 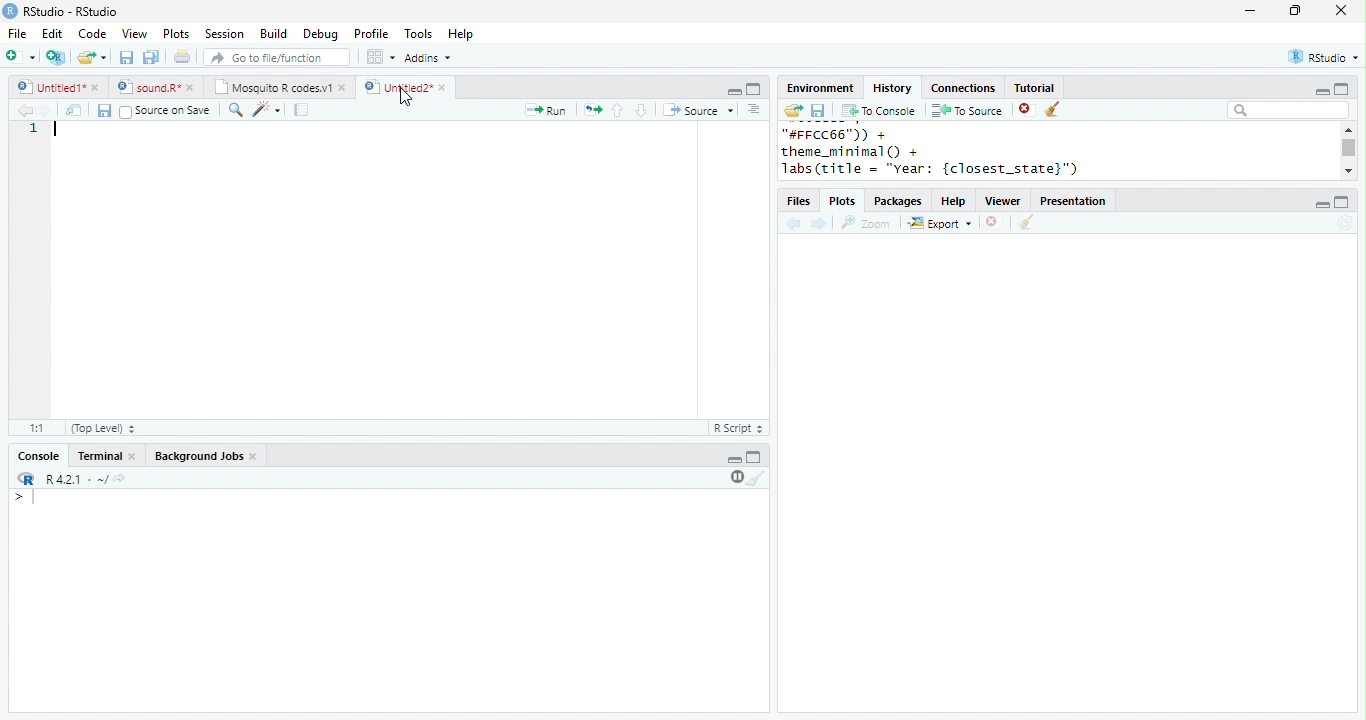 What do you see at coordinates (256, 458) in the screenshot?
I see `close` at bounding box center [256, 458].